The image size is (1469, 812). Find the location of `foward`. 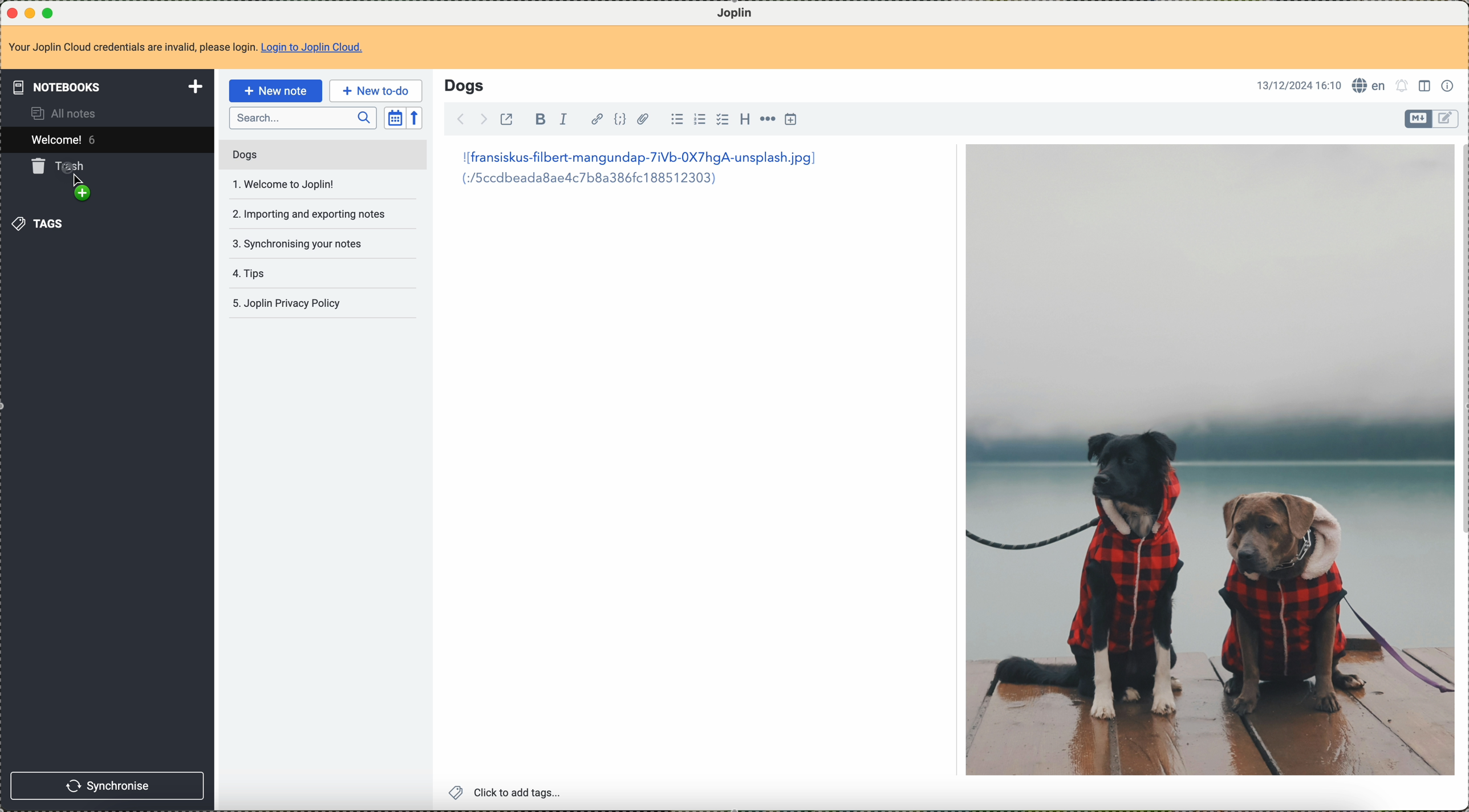

foward is located at coordinates (486, 118).